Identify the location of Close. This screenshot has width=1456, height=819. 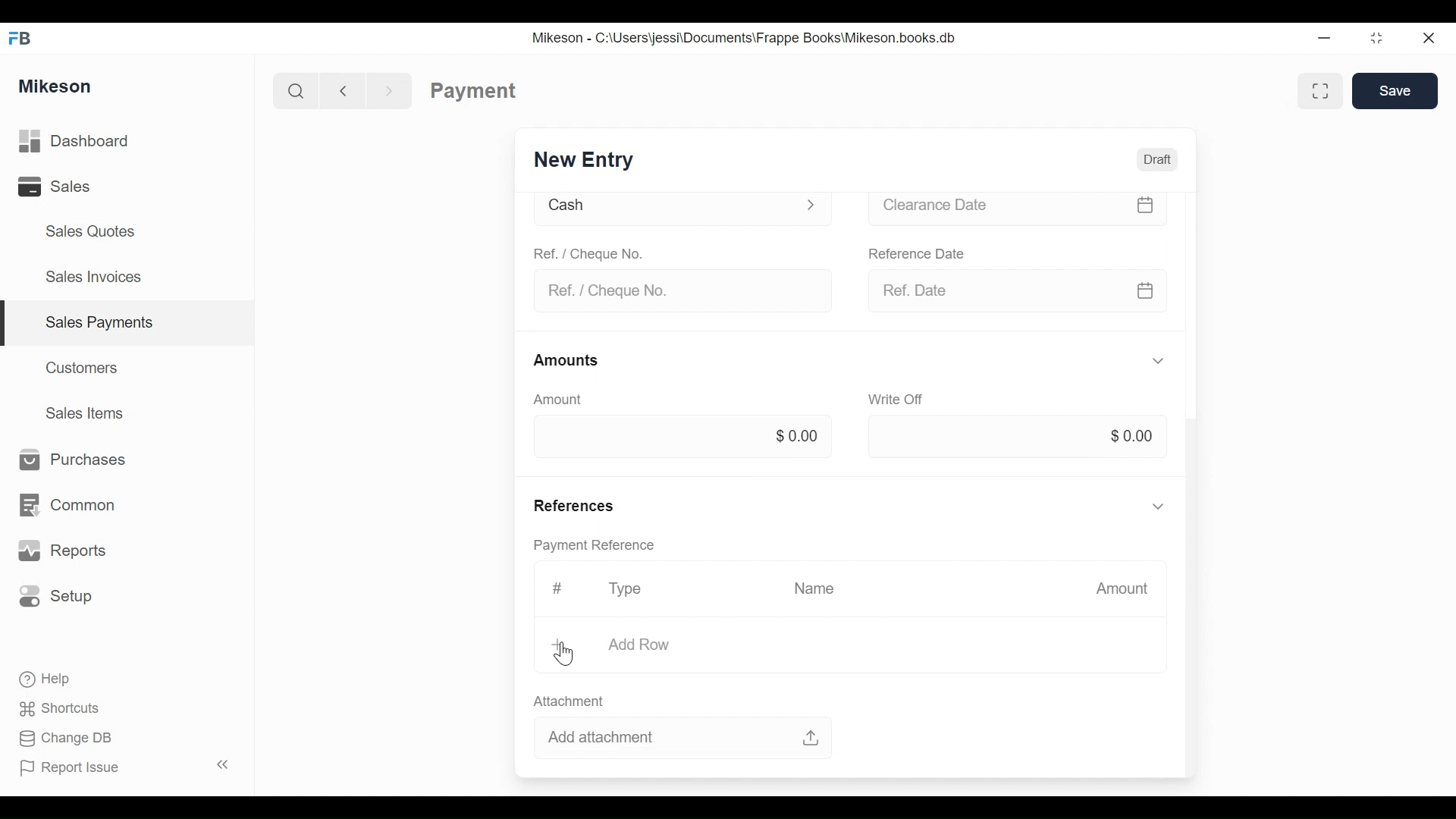
(1426, 36).